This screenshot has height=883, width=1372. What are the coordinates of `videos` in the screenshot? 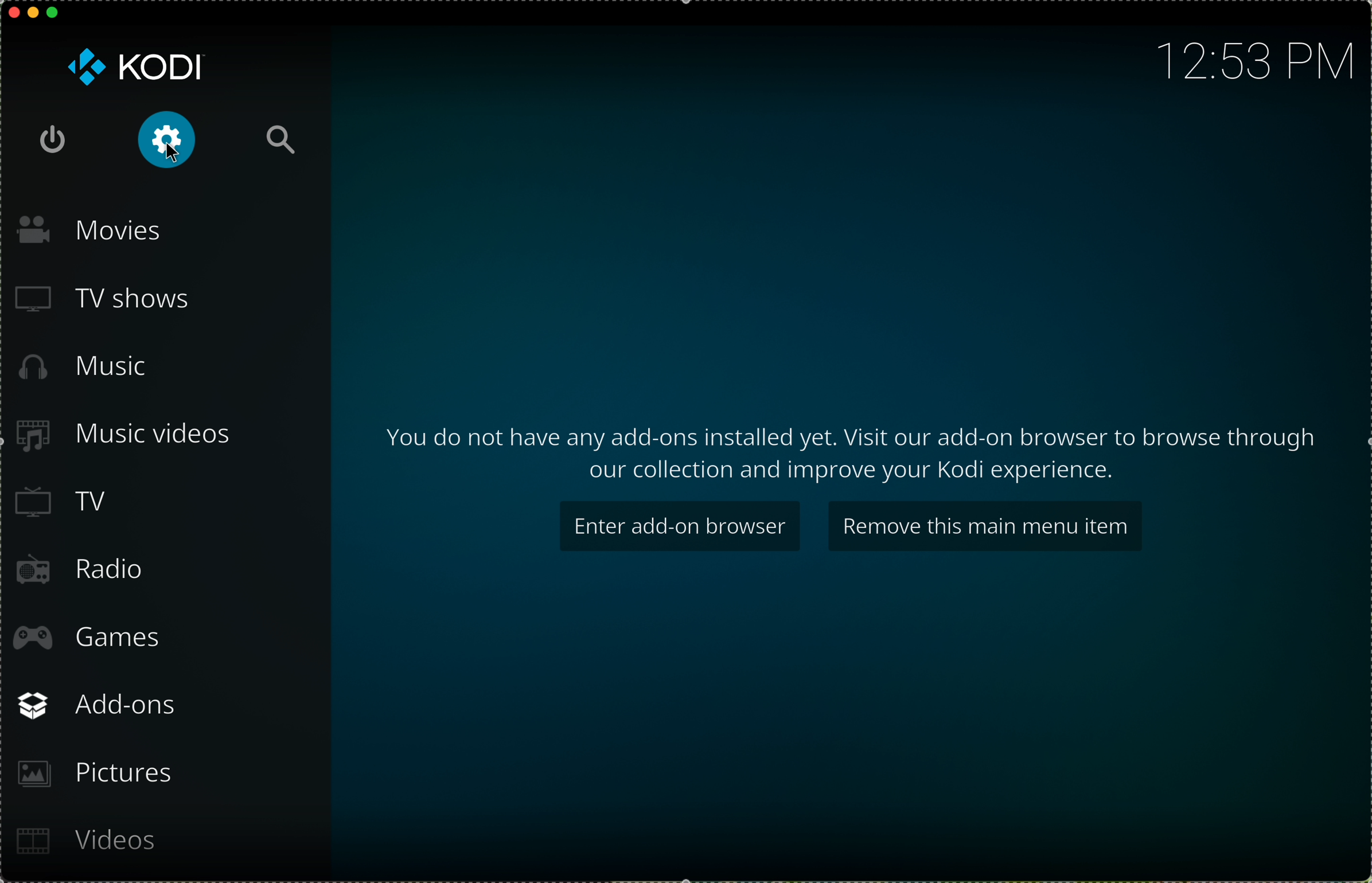 It's located at (92, 840).